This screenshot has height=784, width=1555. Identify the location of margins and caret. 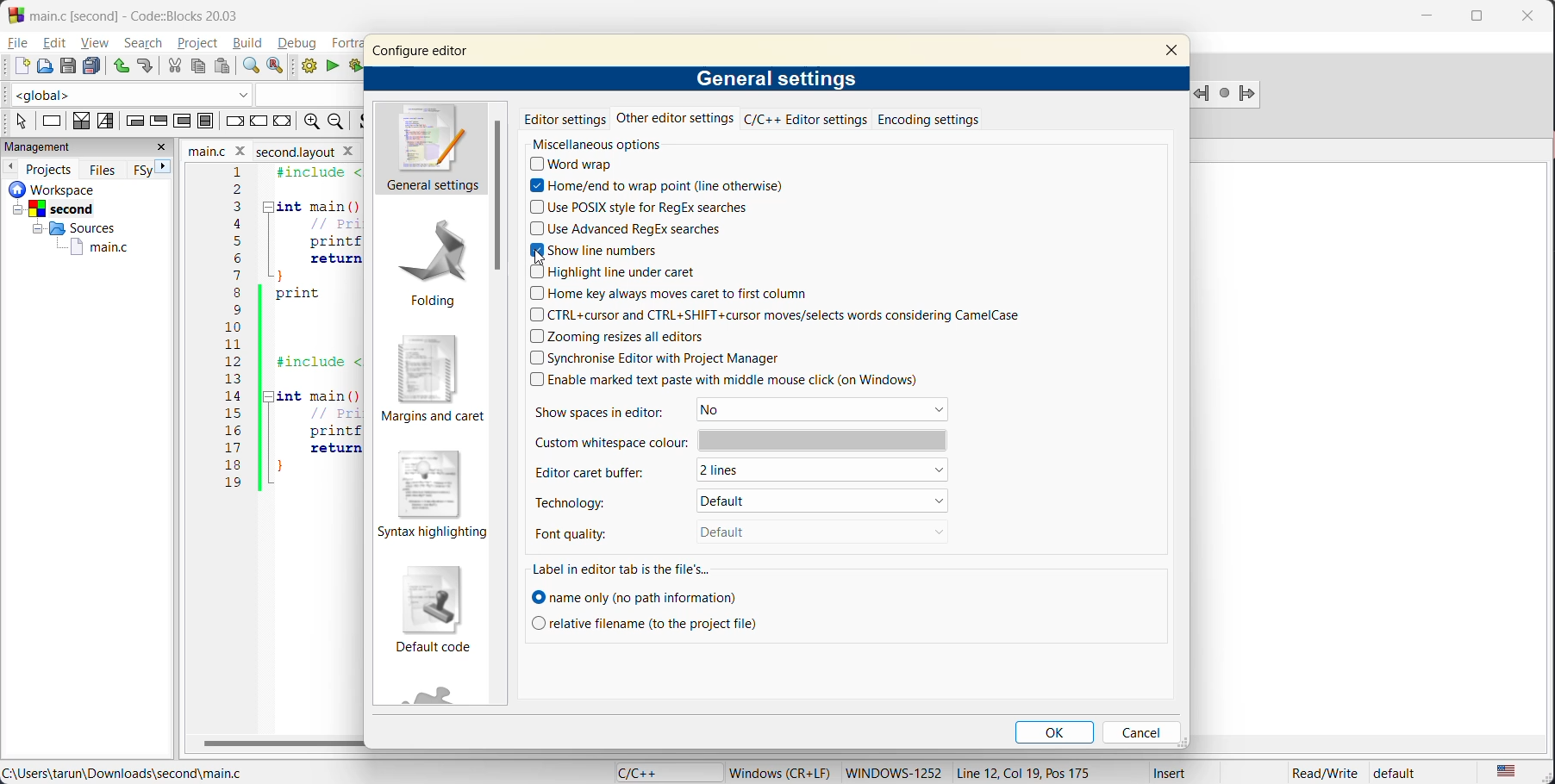
(433, 377).